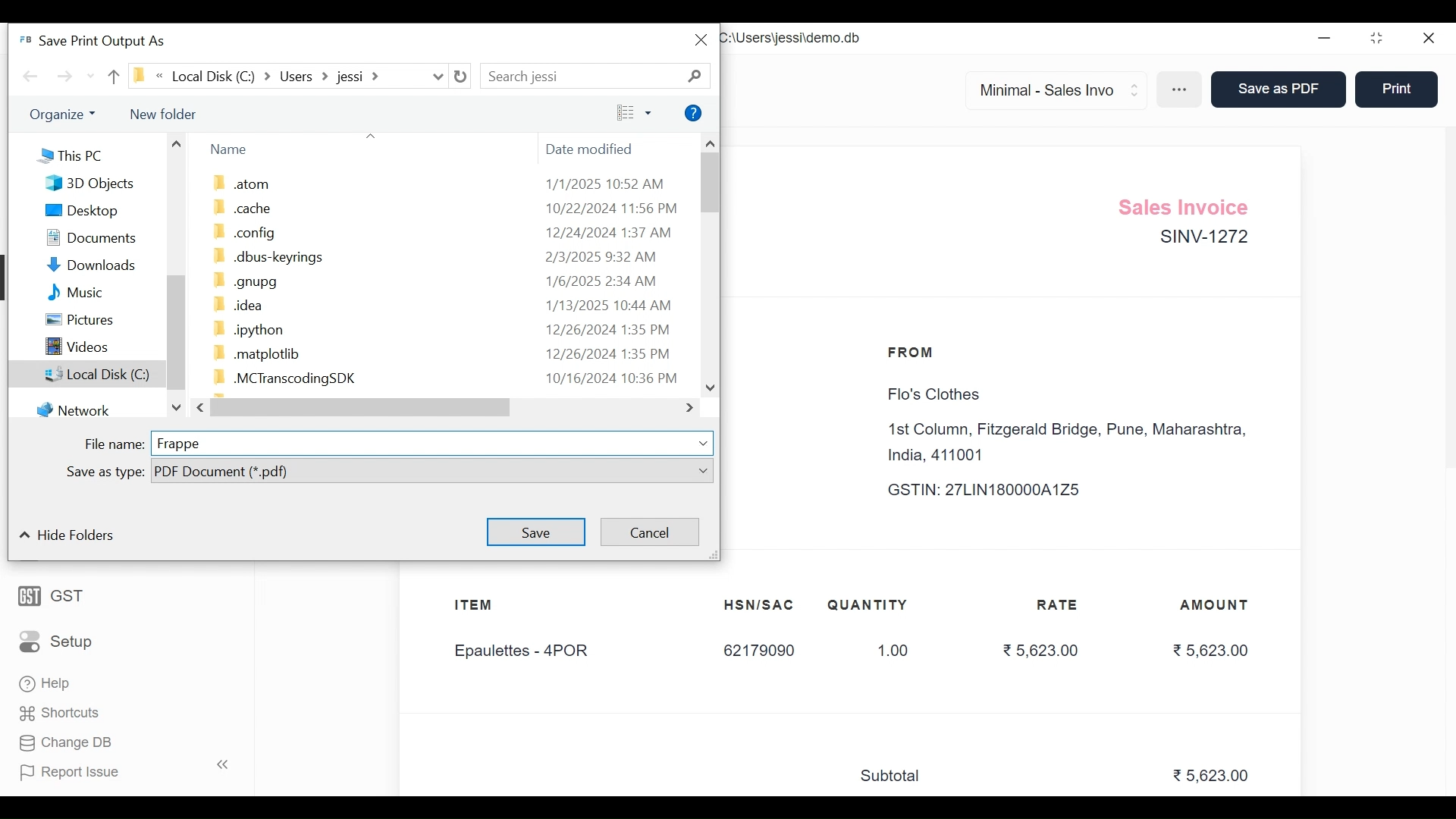 The height and width of the screenshot is (819, 1456). Describe the element at coordinates (885, 651) in the screenshot. I see `1.00` at that location.